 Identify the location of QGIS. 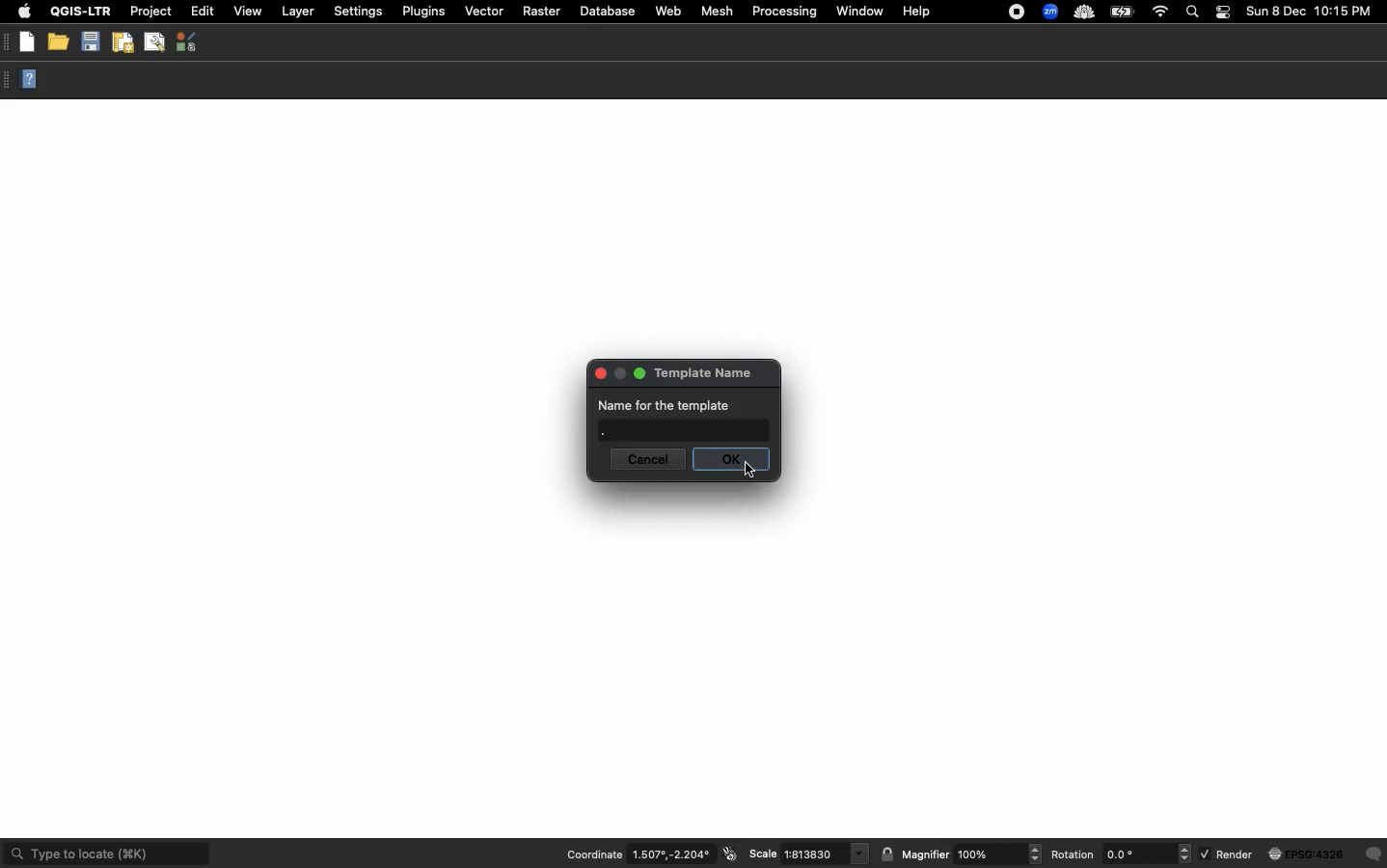
(80, 10).